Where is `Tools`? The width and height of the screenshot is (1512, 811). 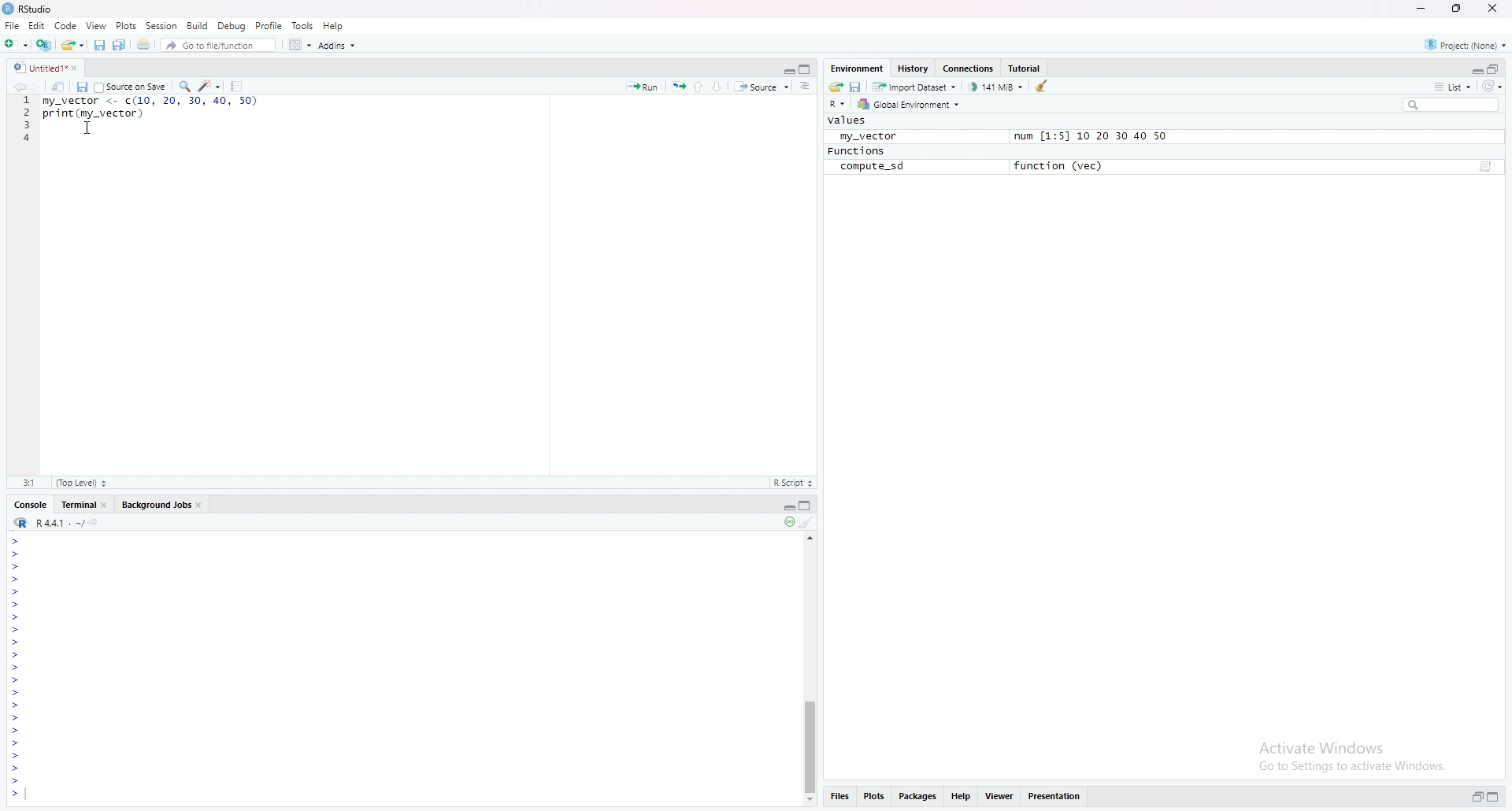 Tools is located at coordinates (302, 26).